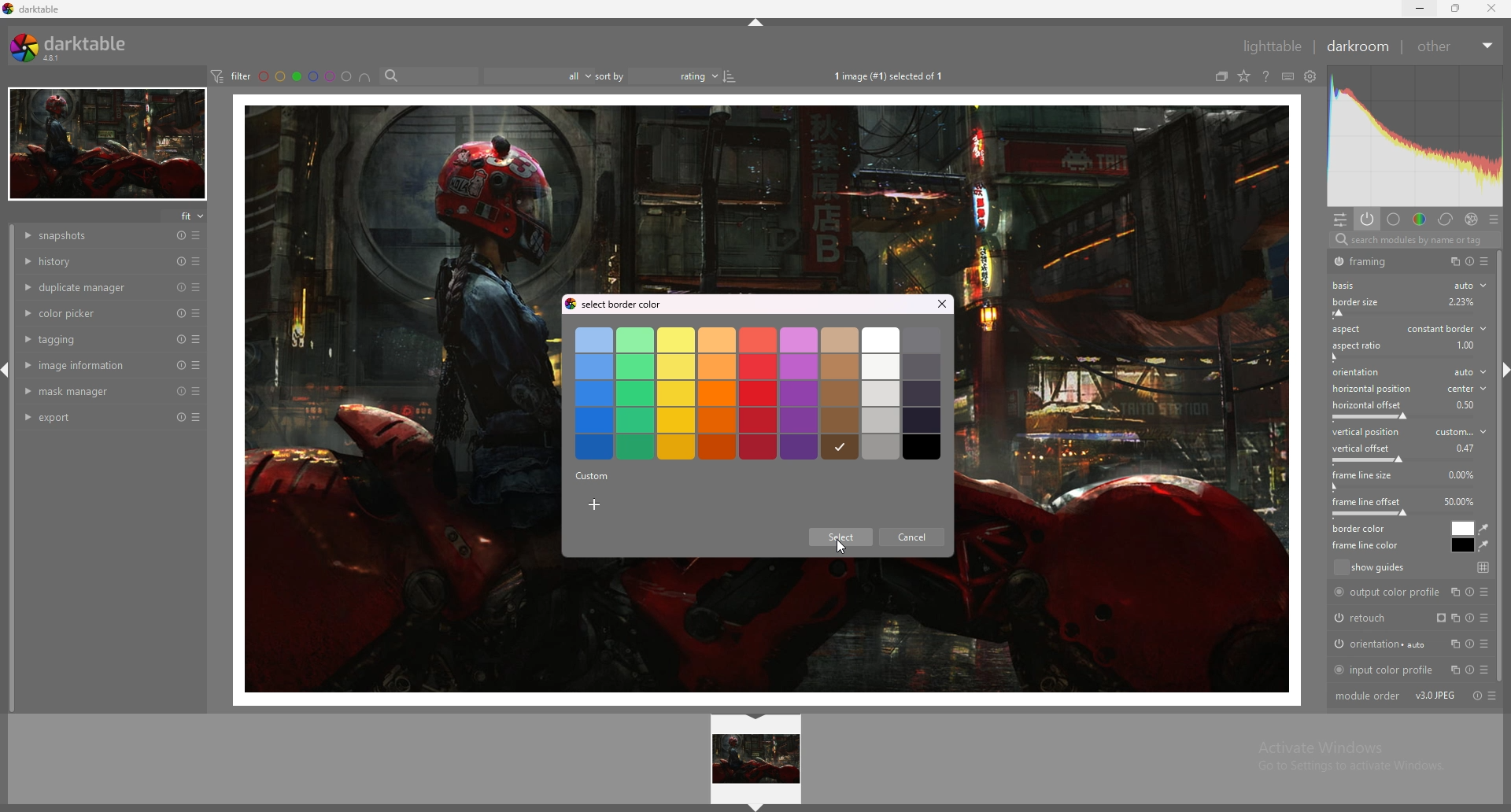 Image resolution: width=1511 pixels, height=812 pixels. I want to click on presets, so click(1492, 217).